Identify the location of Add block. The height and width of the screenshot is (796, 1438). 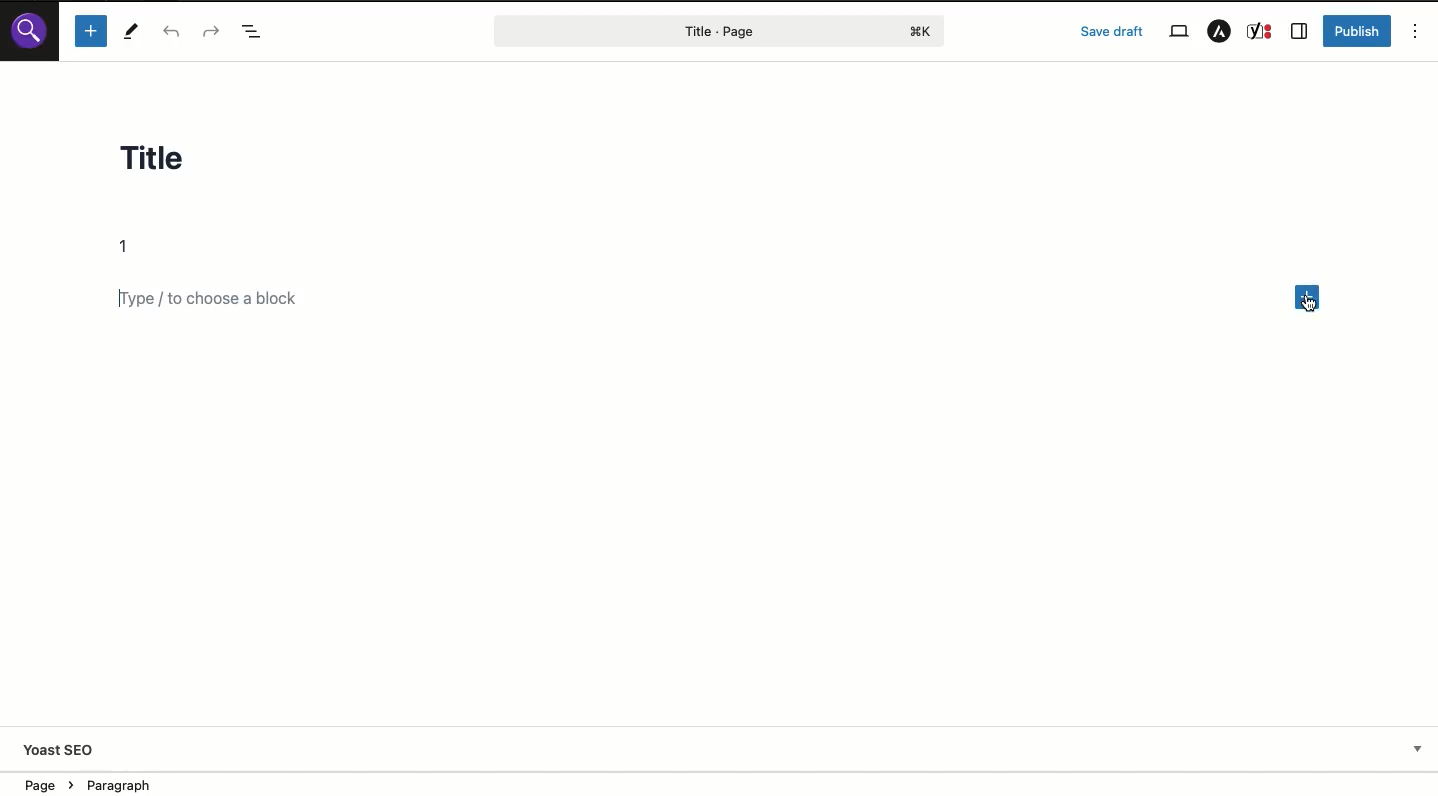
(90, 31).